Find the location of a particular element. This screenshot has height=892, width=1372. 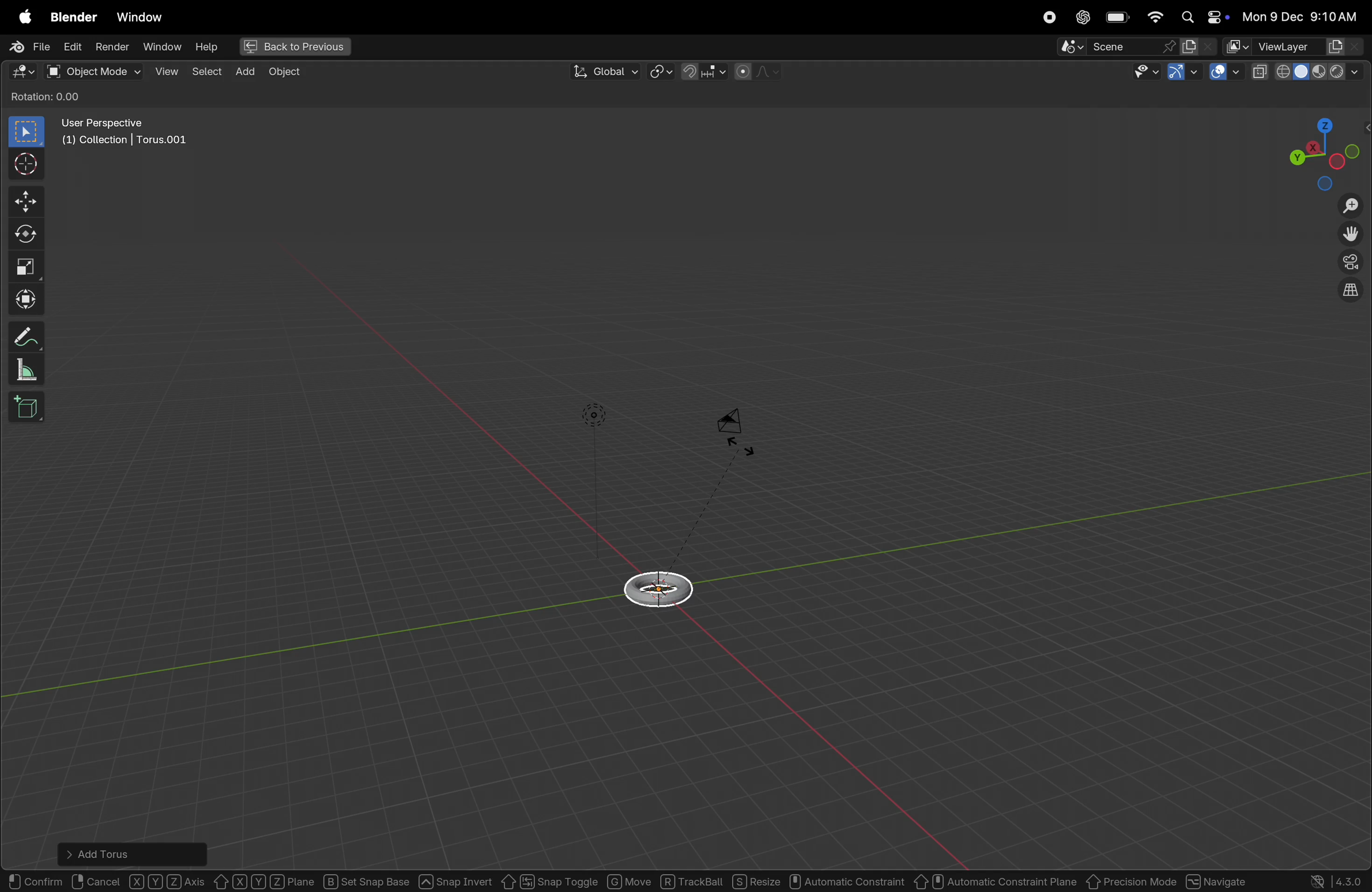

versions is located at coordinates (1337, 880).